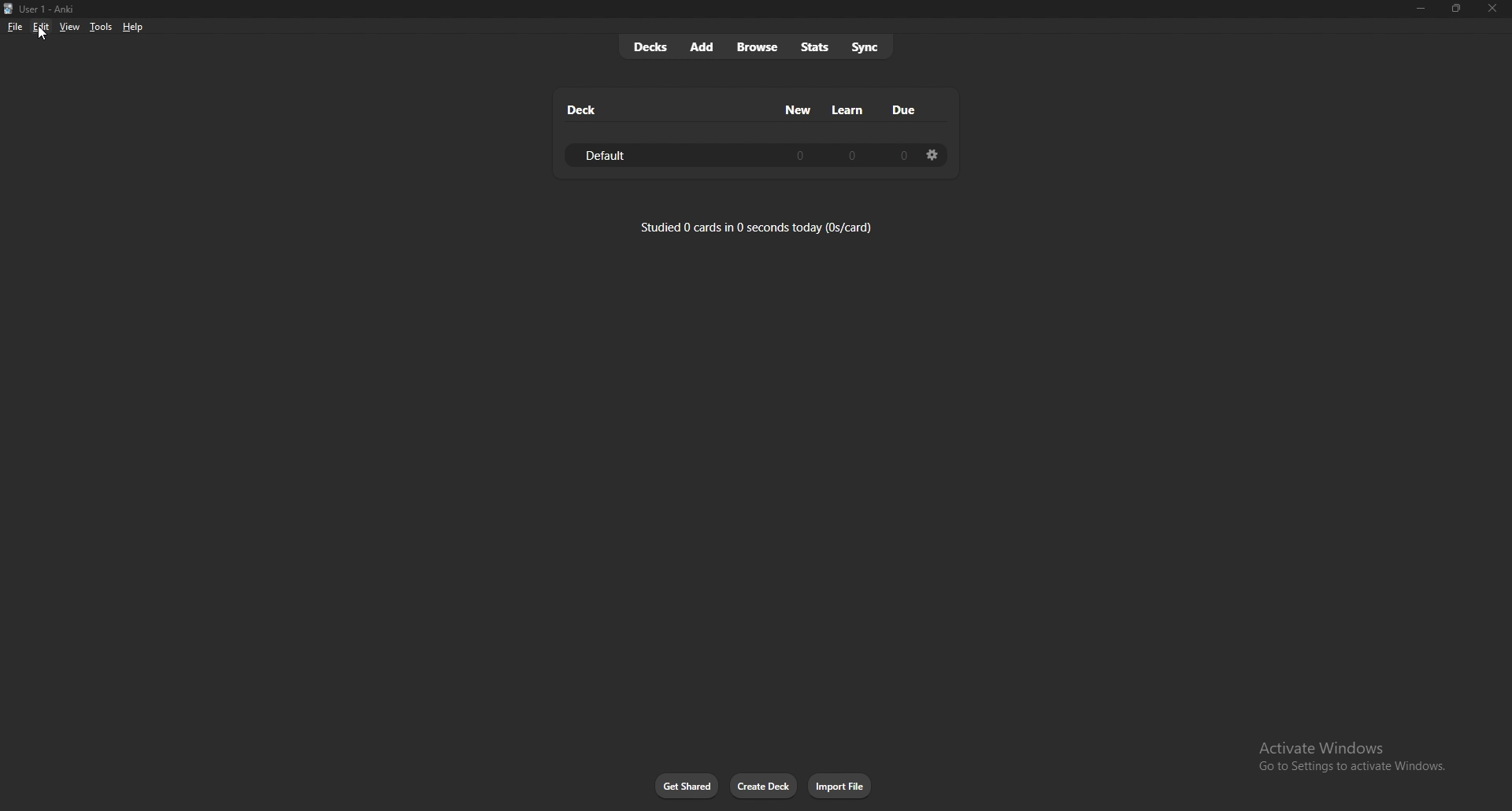 Image resolution: width=1512 pixels, height=811 pixels. Describe the element at coordinates (41, 36) in the screenshot. I see `cursor` at that location.